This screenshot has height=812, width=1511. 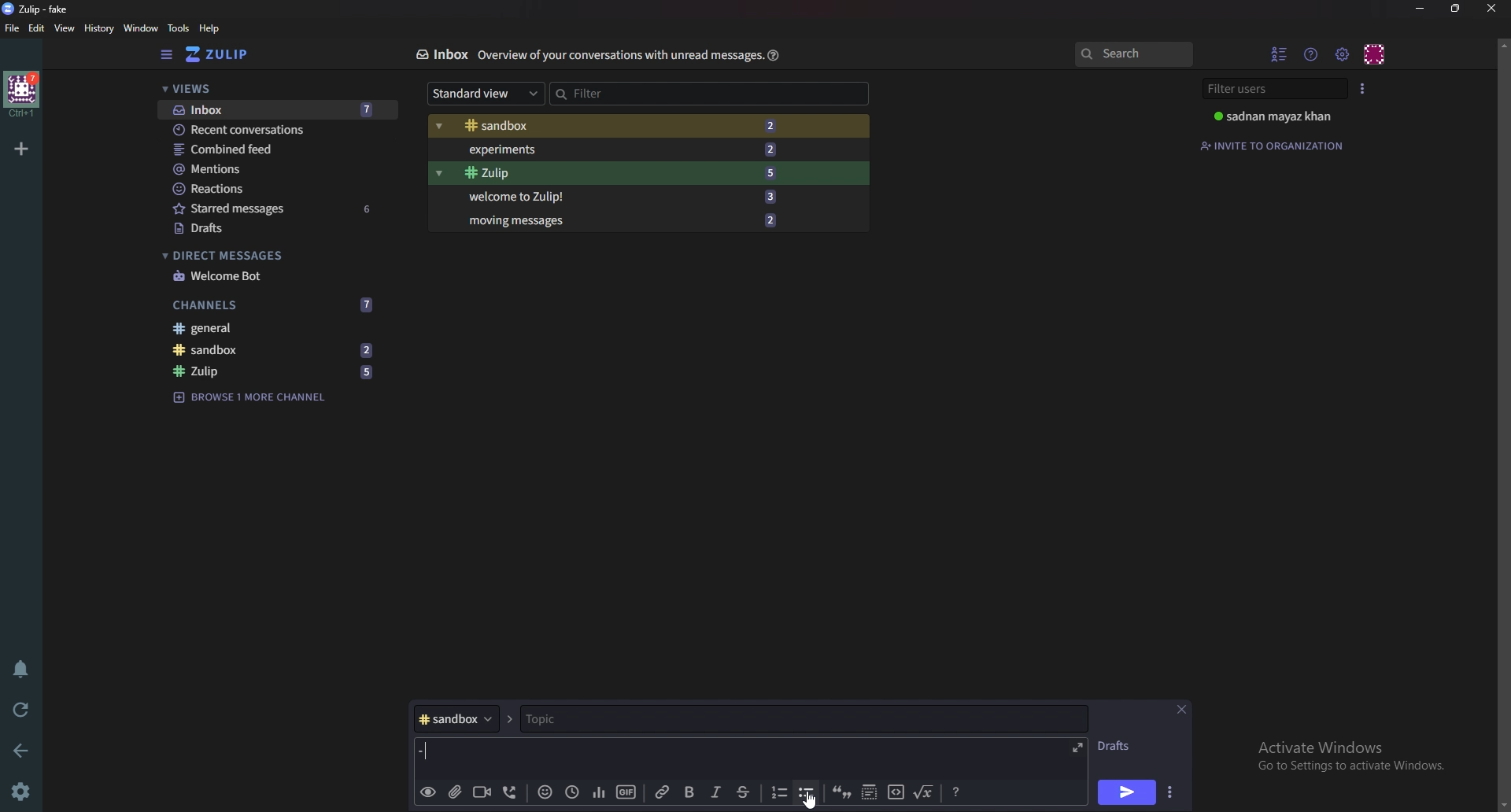 I want to click on Drafts, so click(x=1119, y=746).